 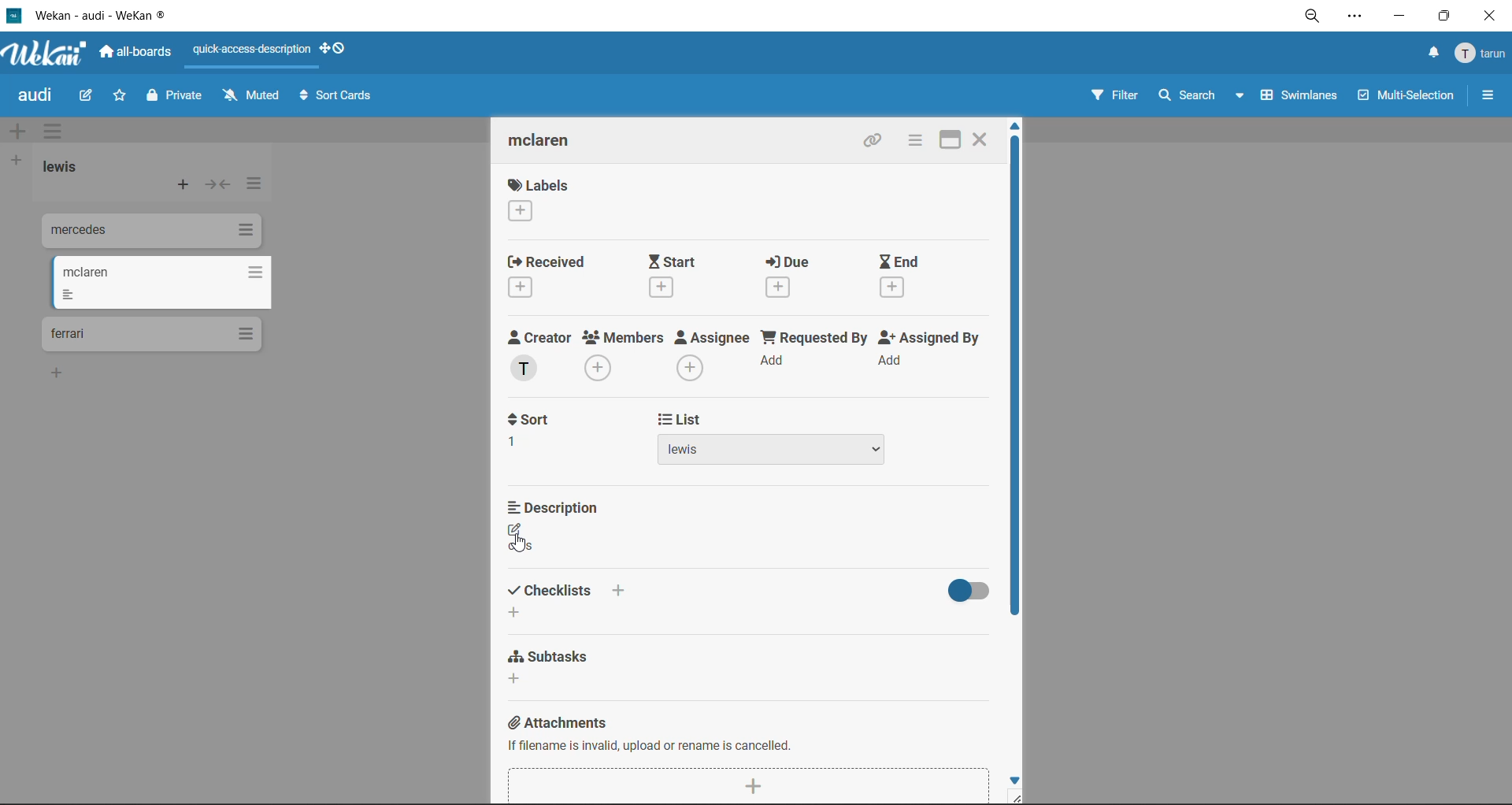 What do you see at coordinates (253, 50) in the screenshot?
I see `quick access description` at bounding box center [253, 50].